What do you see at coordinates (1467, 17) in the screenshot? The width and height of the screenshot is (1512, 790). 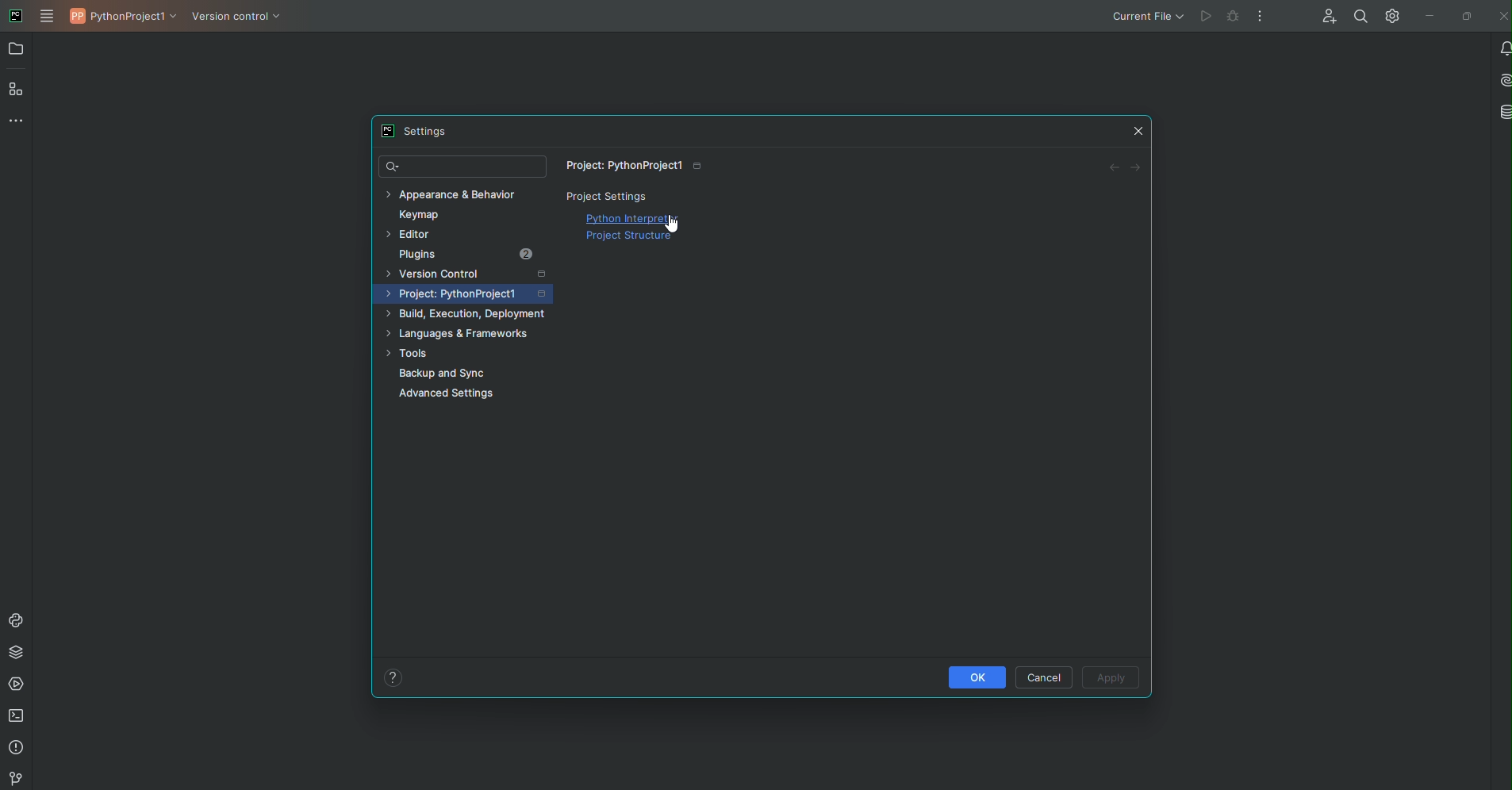 I see `Restore` at bounding box center [1467, 17].